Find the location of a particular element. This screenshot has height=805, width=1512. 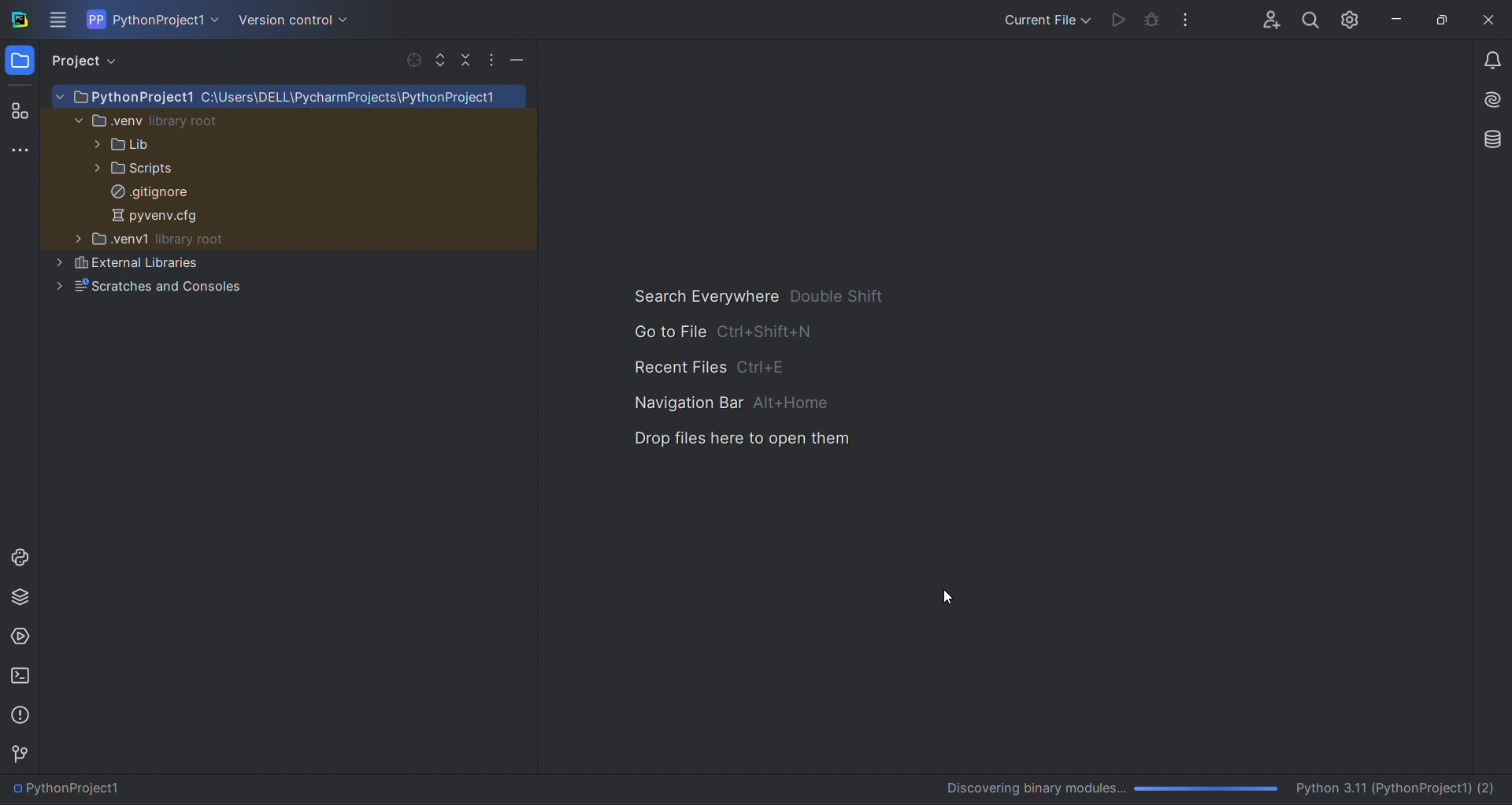

file tree is located at coordinates (293, 236).